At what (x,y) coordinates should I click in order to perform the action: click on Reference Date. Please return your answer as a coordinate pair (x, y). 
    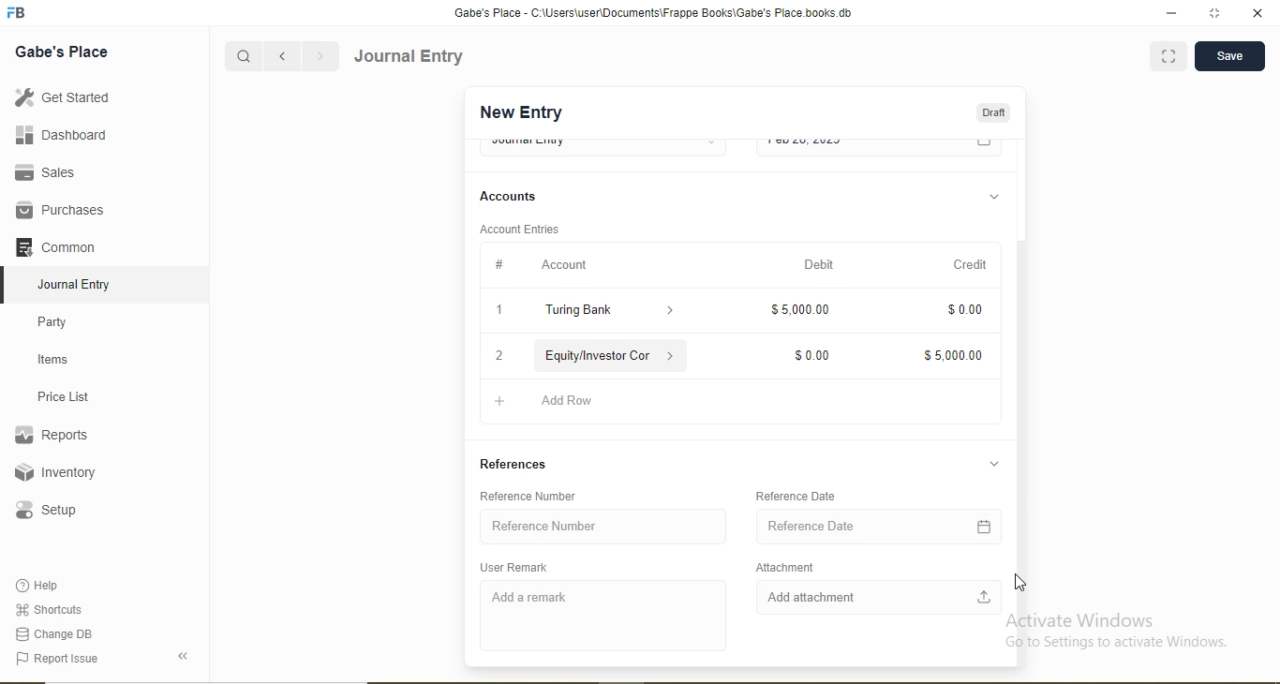
    Looking at the image, I should click on (812, 526).